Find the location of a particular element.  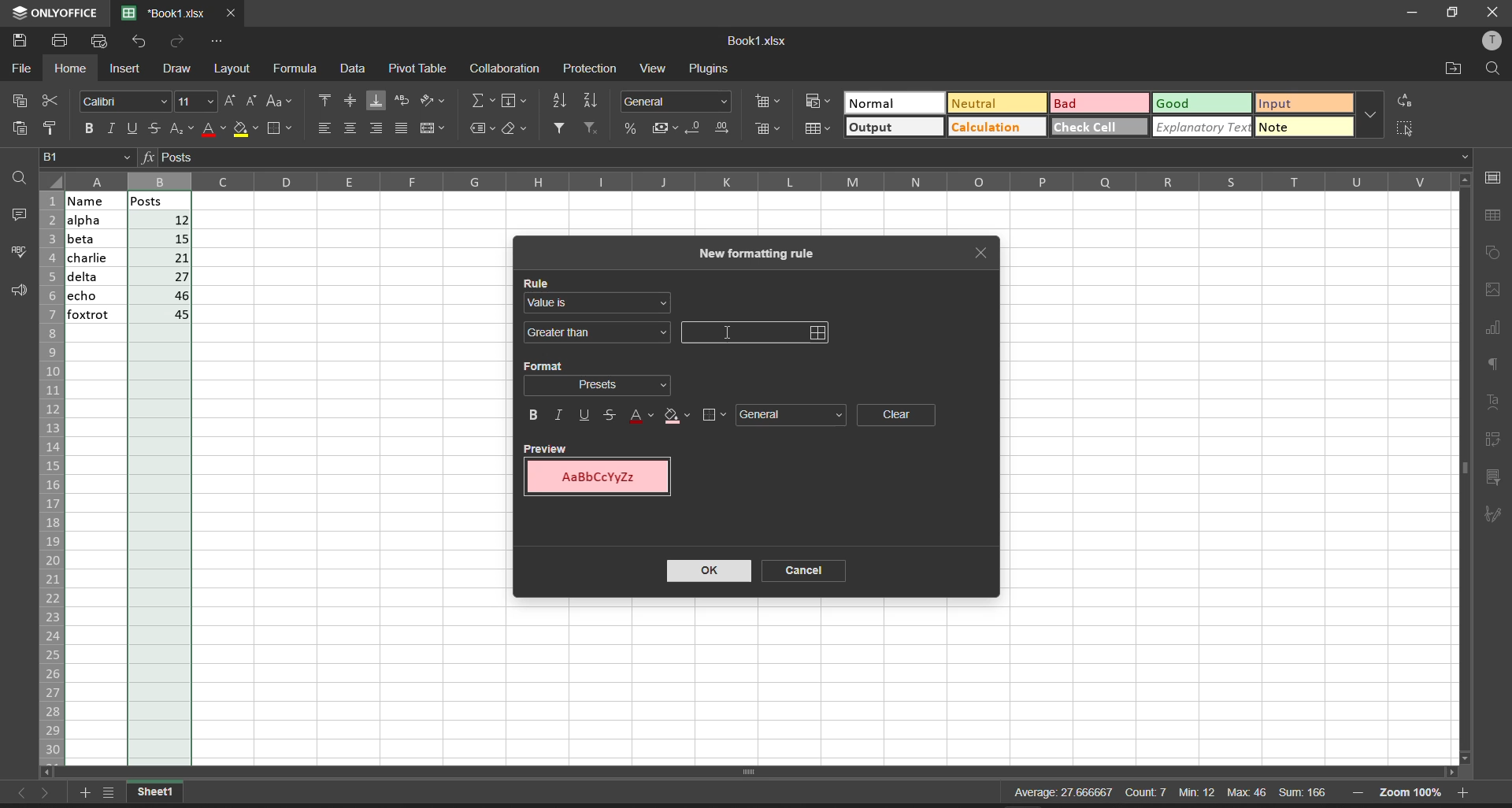

change case is located at coordinates (280, 102).